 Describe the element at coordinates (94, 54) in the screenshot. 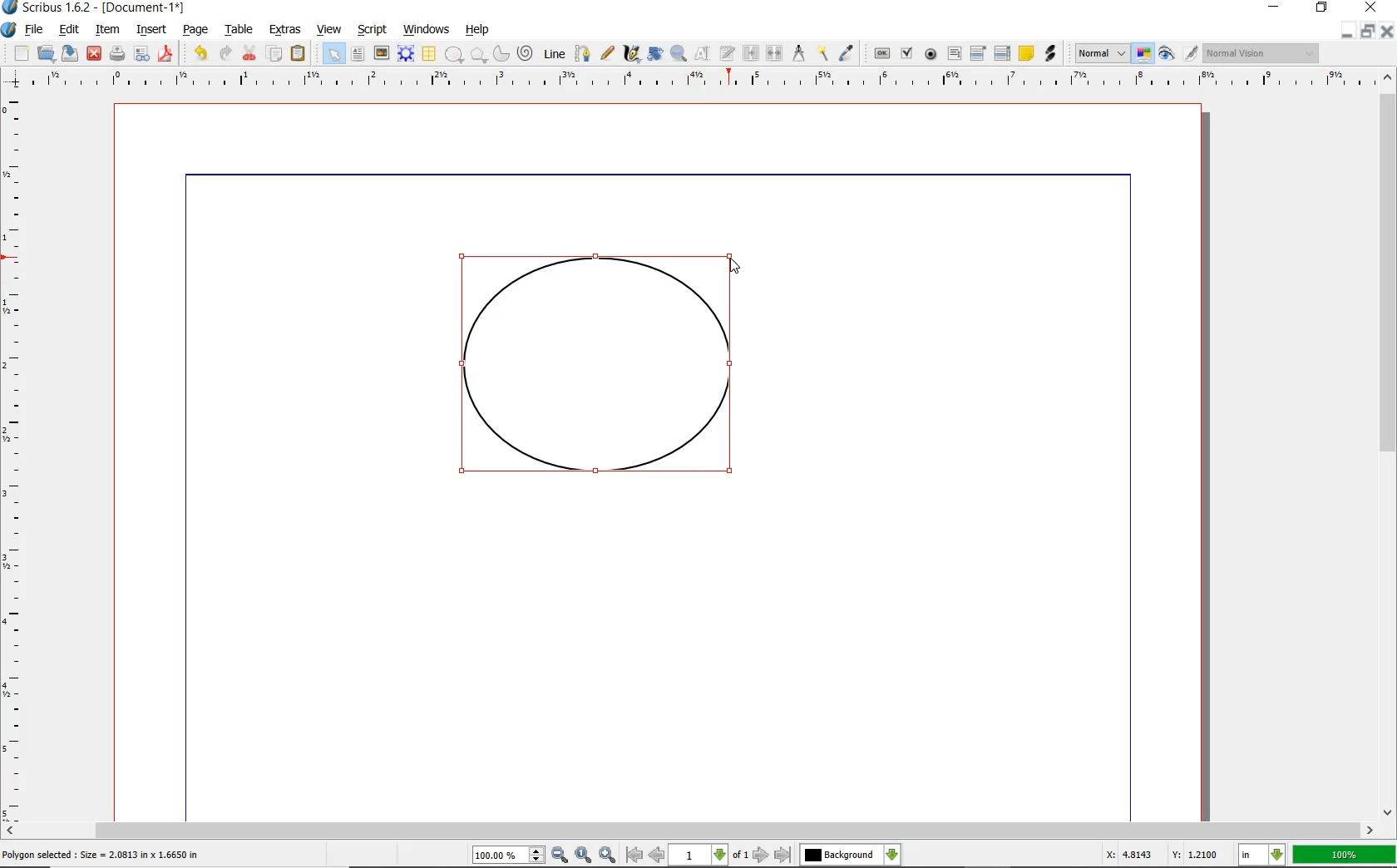

I see `CLOSE` at that location.